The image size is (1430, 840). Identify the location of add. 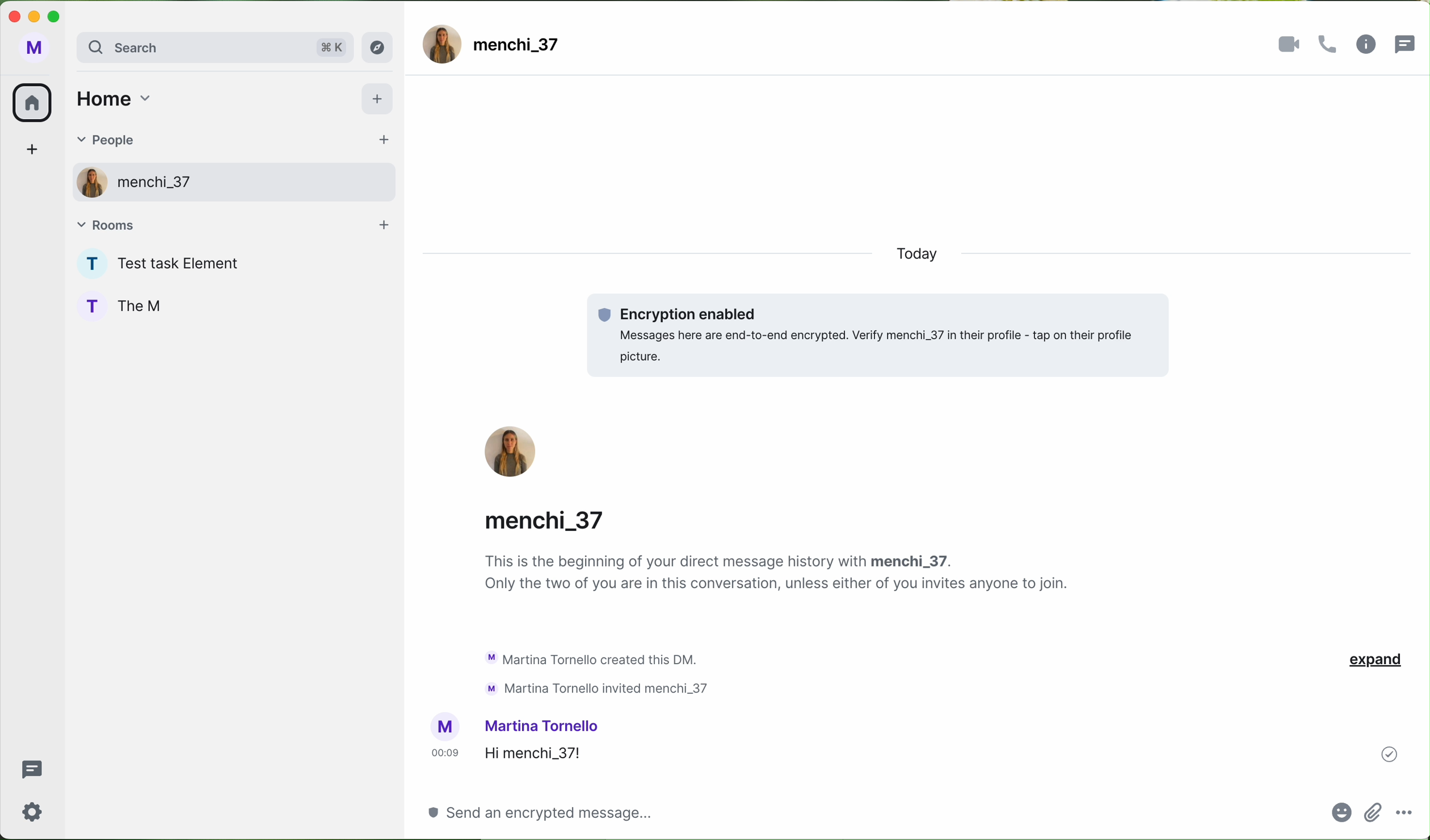
(36, 152).